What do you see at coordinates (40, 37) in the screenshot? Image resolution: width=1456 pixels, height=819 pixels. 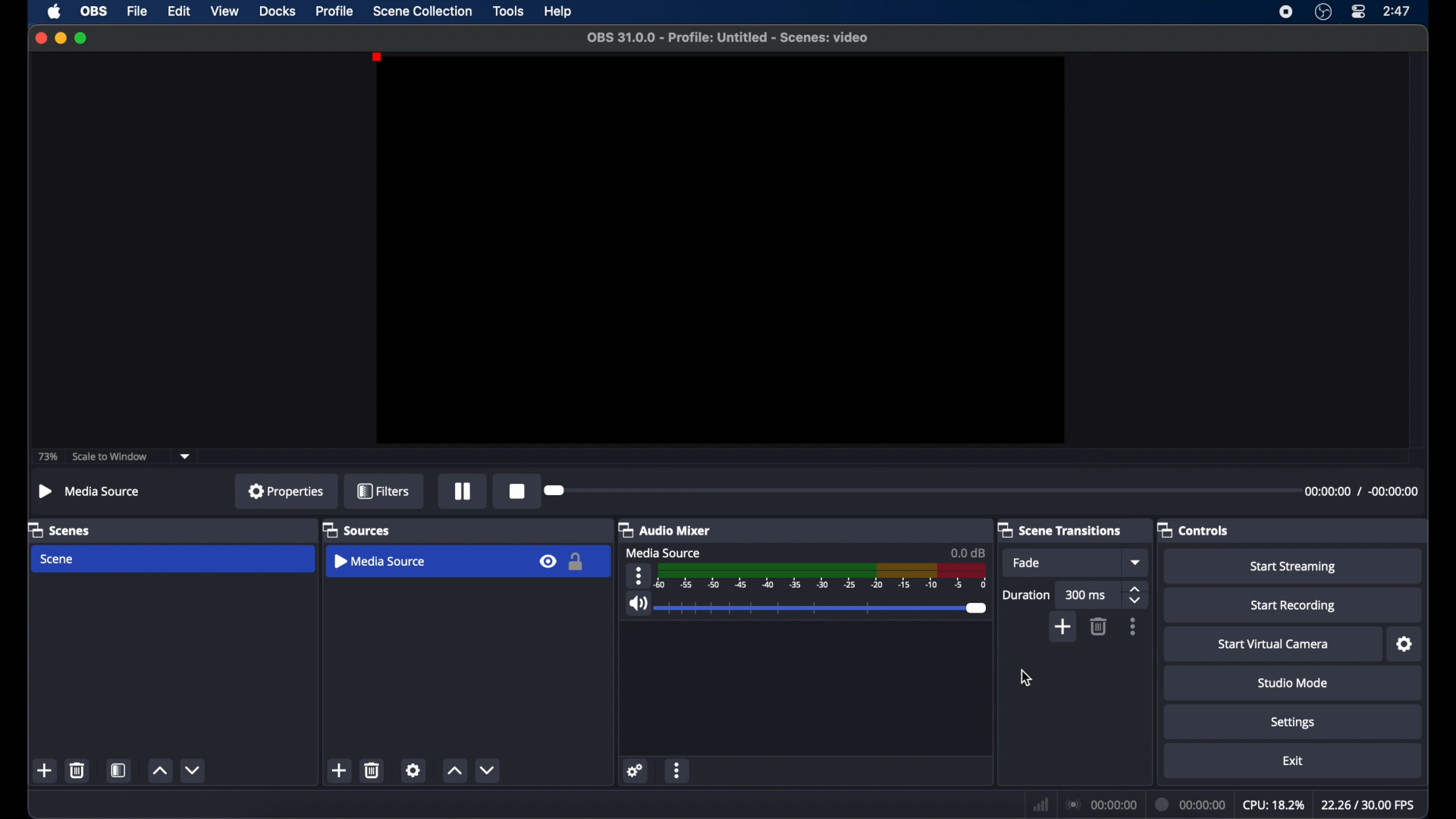 I see `close` at bounding box center [40, 37].